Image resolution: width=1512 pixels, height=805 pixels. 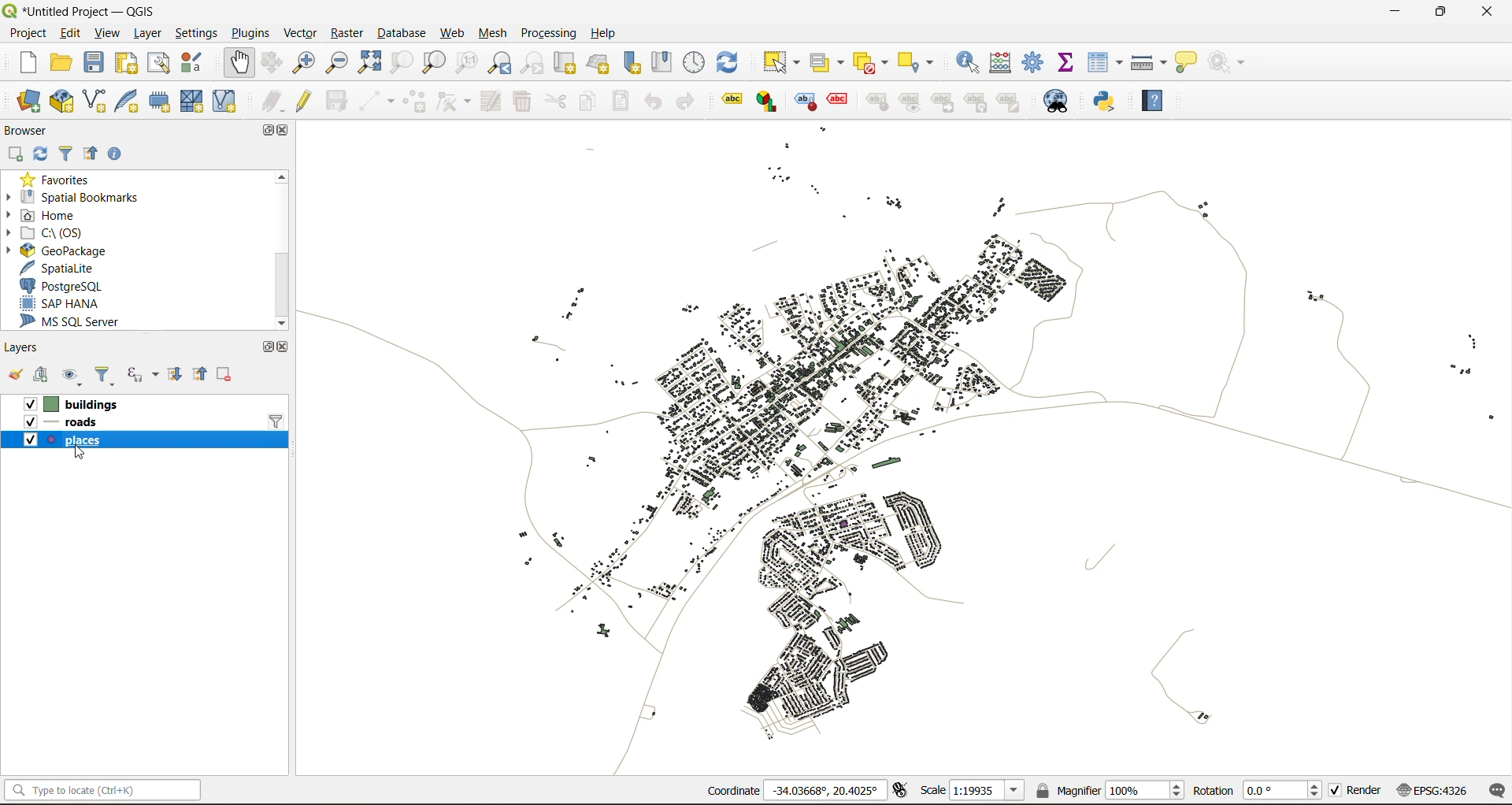 I want to click on cursor, so click(x=84, y=455).